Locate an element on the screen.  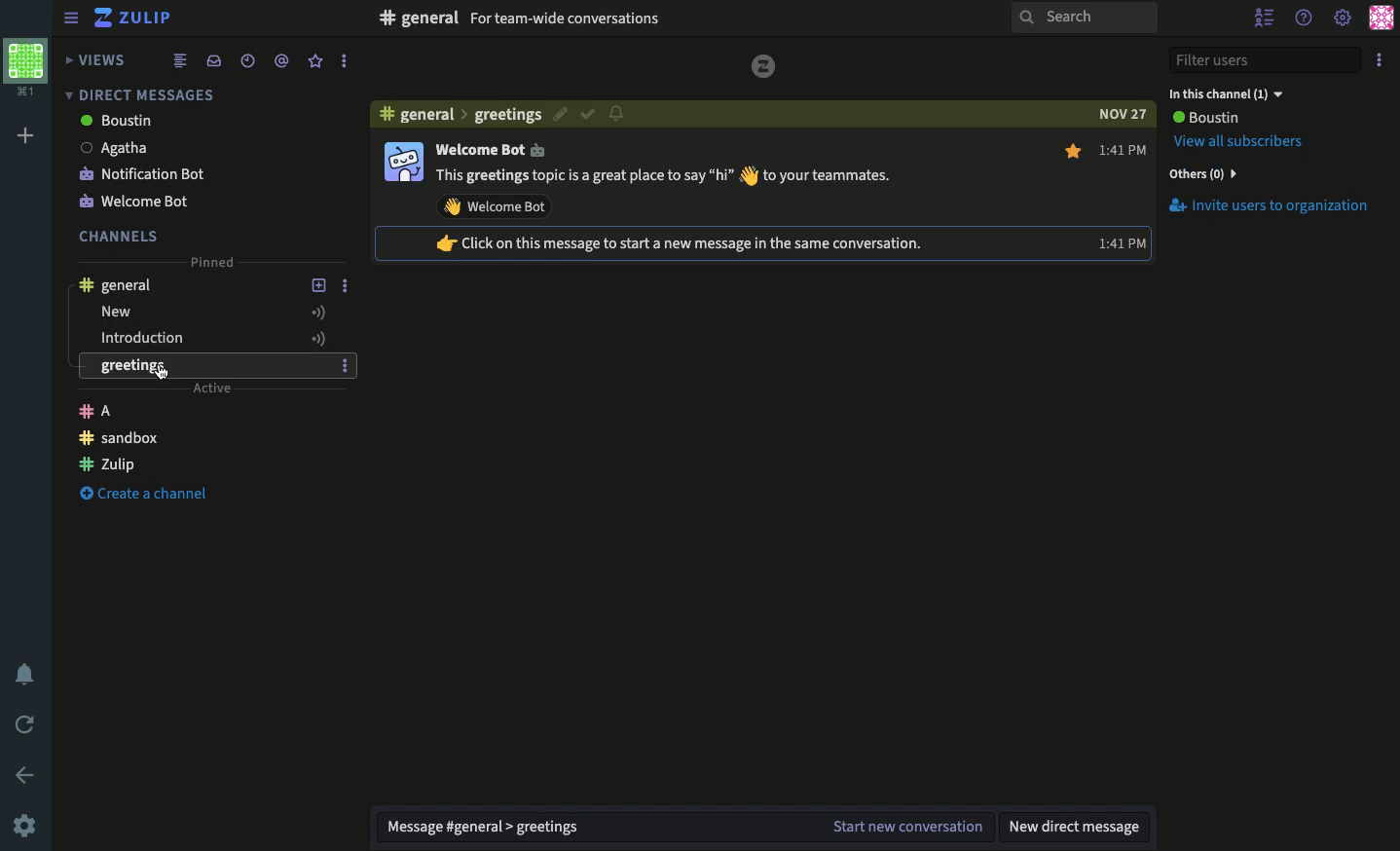
boustin is located at coordinates (182, 122).